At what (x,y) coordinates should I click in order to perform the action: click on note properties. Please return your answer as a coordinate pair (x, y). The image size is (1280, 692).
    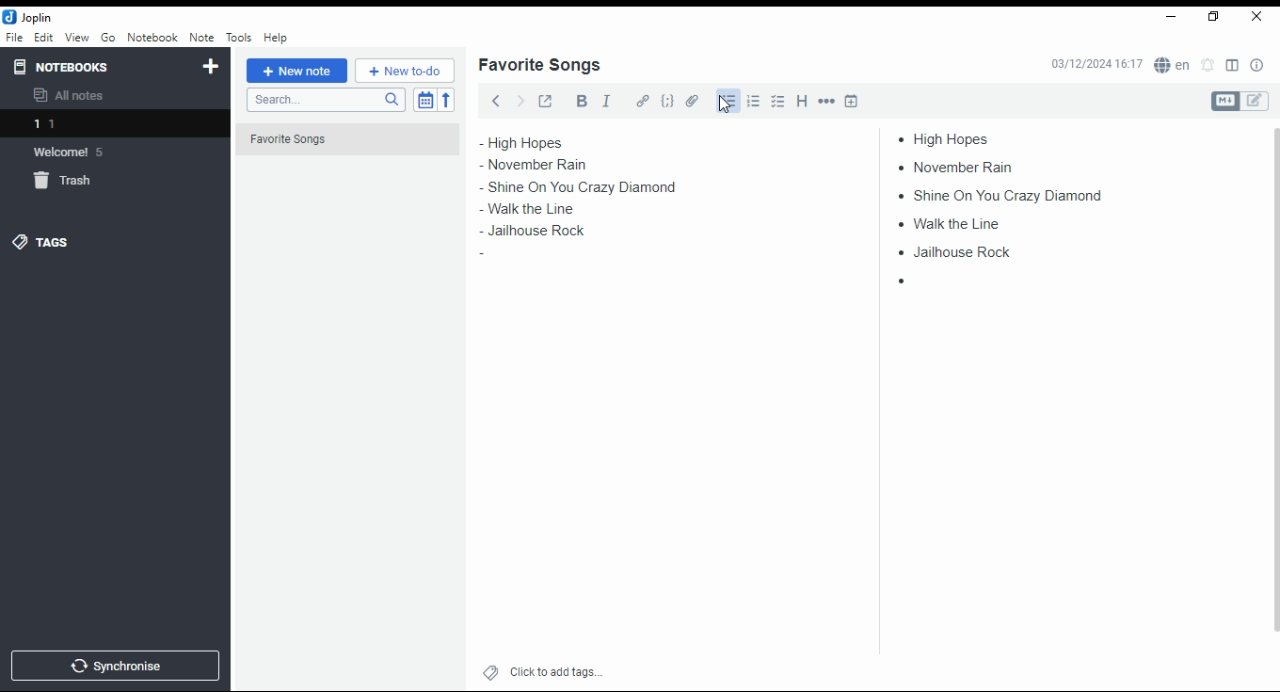
    Looking at the image, I should click on (1258, 66).